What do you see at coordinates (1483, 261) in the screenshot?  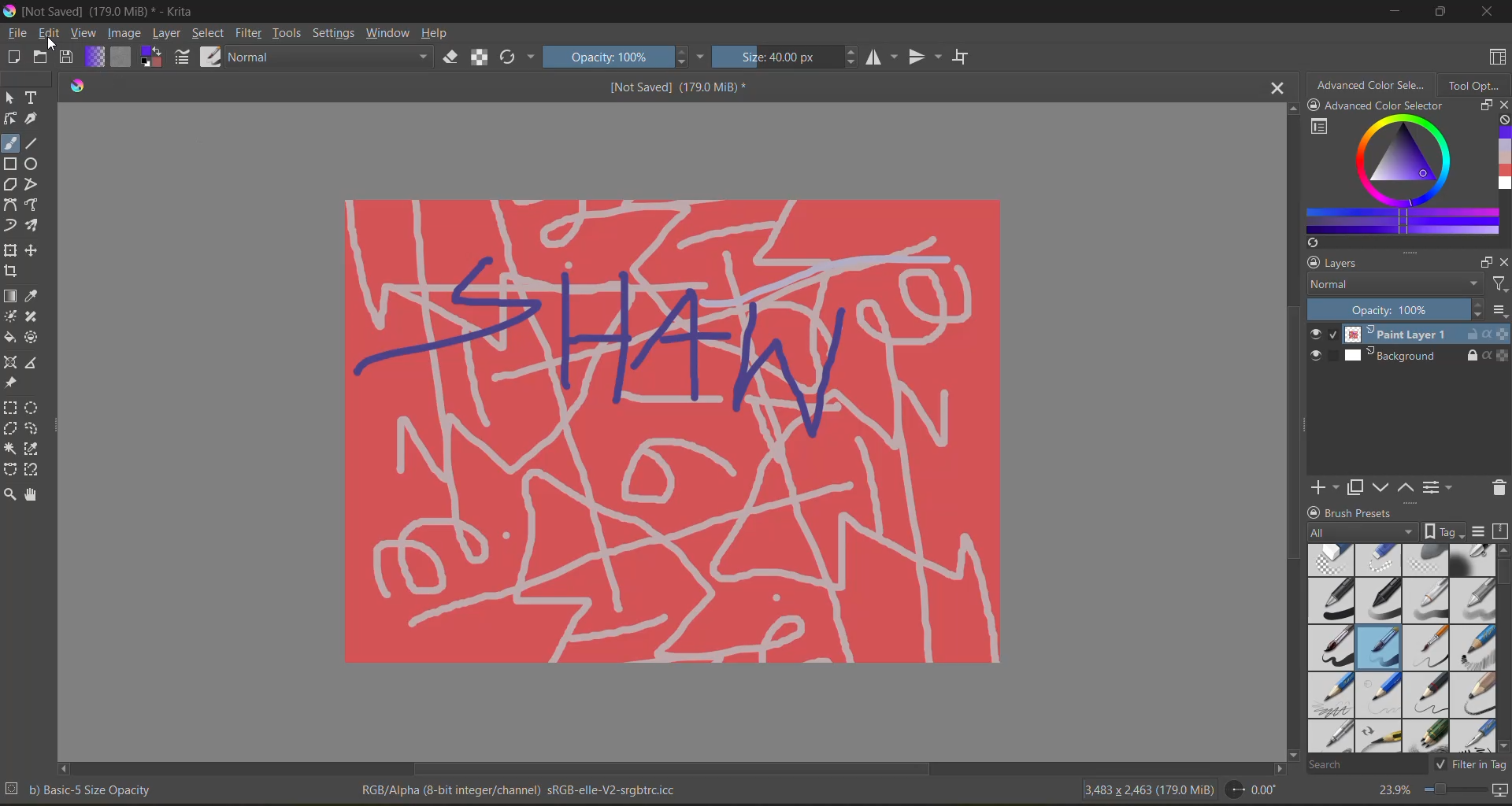 I see `float docker` at bounding box center [1483, 261].